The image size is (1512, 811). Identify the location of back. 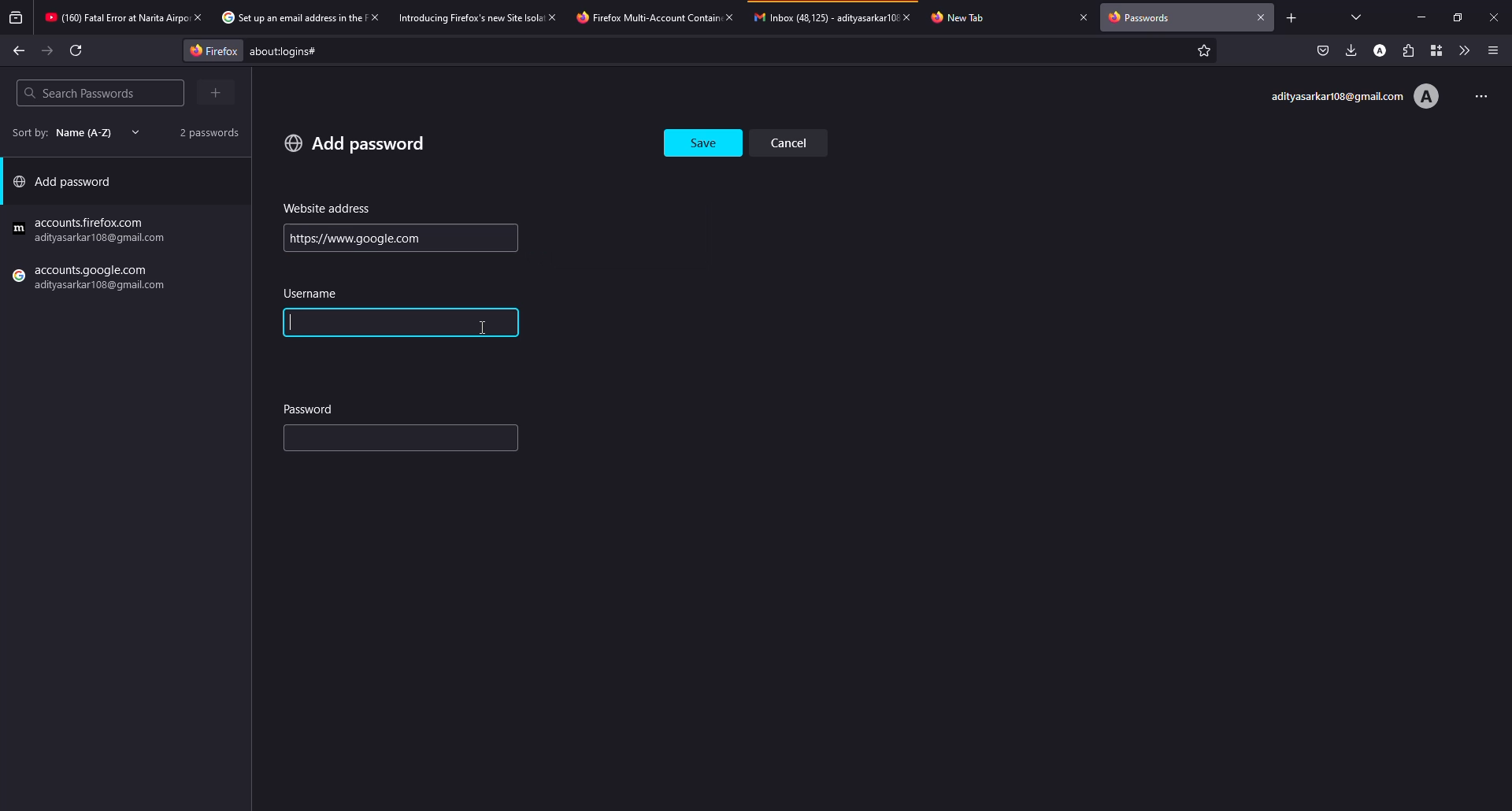
(19, 50).